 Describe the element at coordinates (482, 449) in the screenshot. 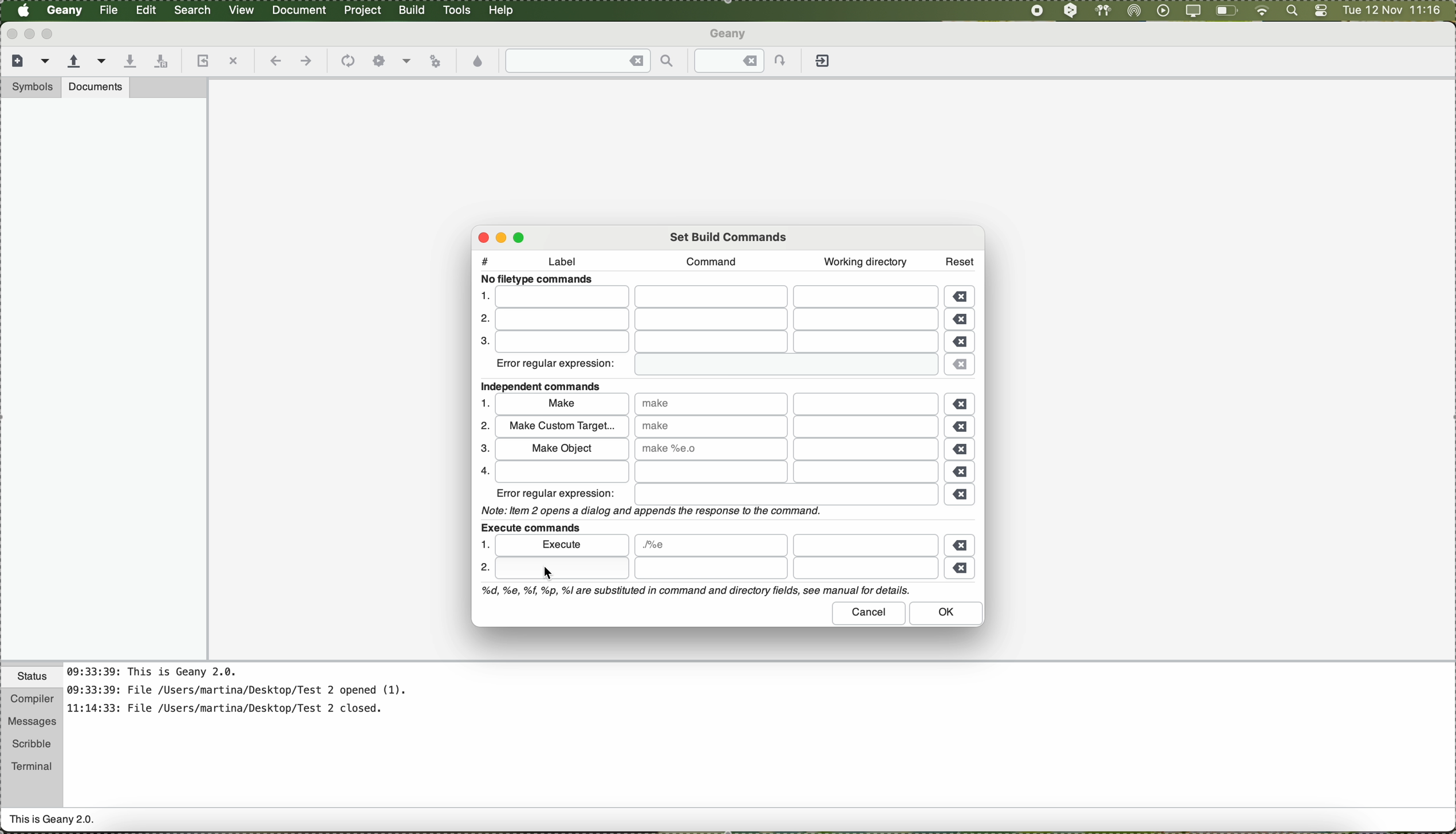

I see `3` at that location.